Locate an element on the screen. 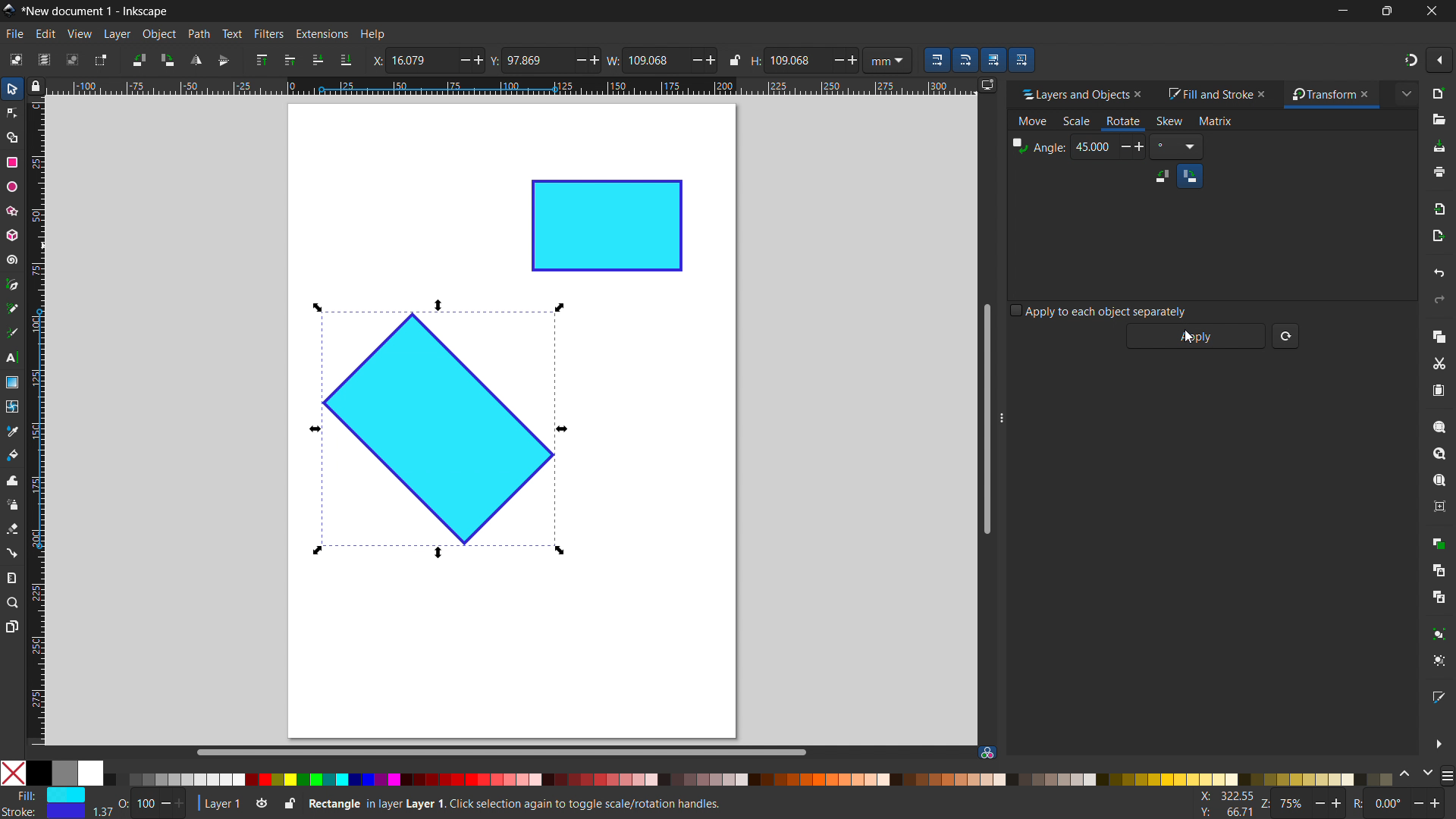 Image resolution: width=1456 pixels, height=819 pixels. zoom drawing is located at coordinates (1439, 453).